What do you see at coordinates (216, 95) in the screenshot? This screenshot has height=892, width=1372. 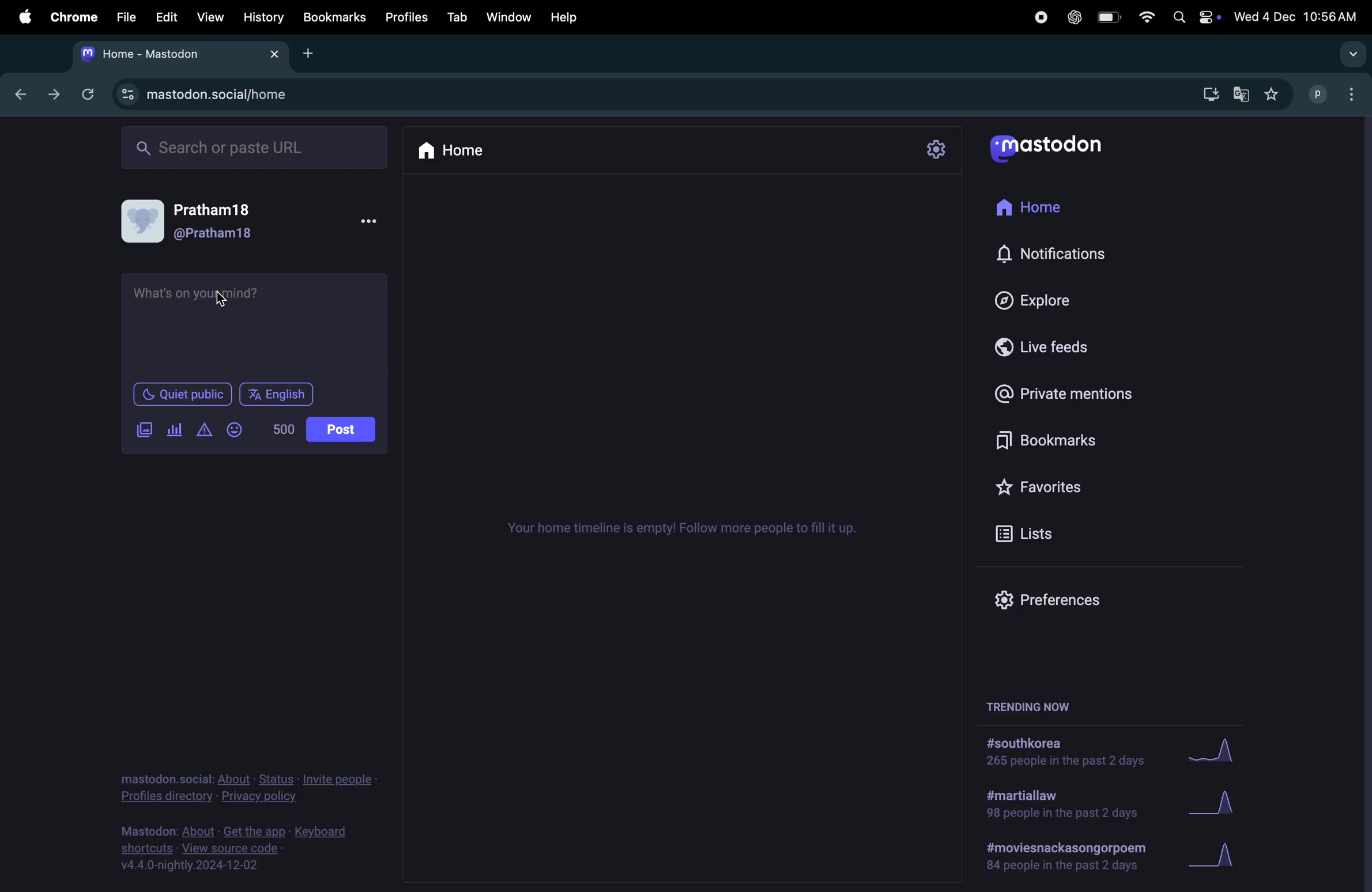 I see `mastodon url` at bounding box center [216, 95].